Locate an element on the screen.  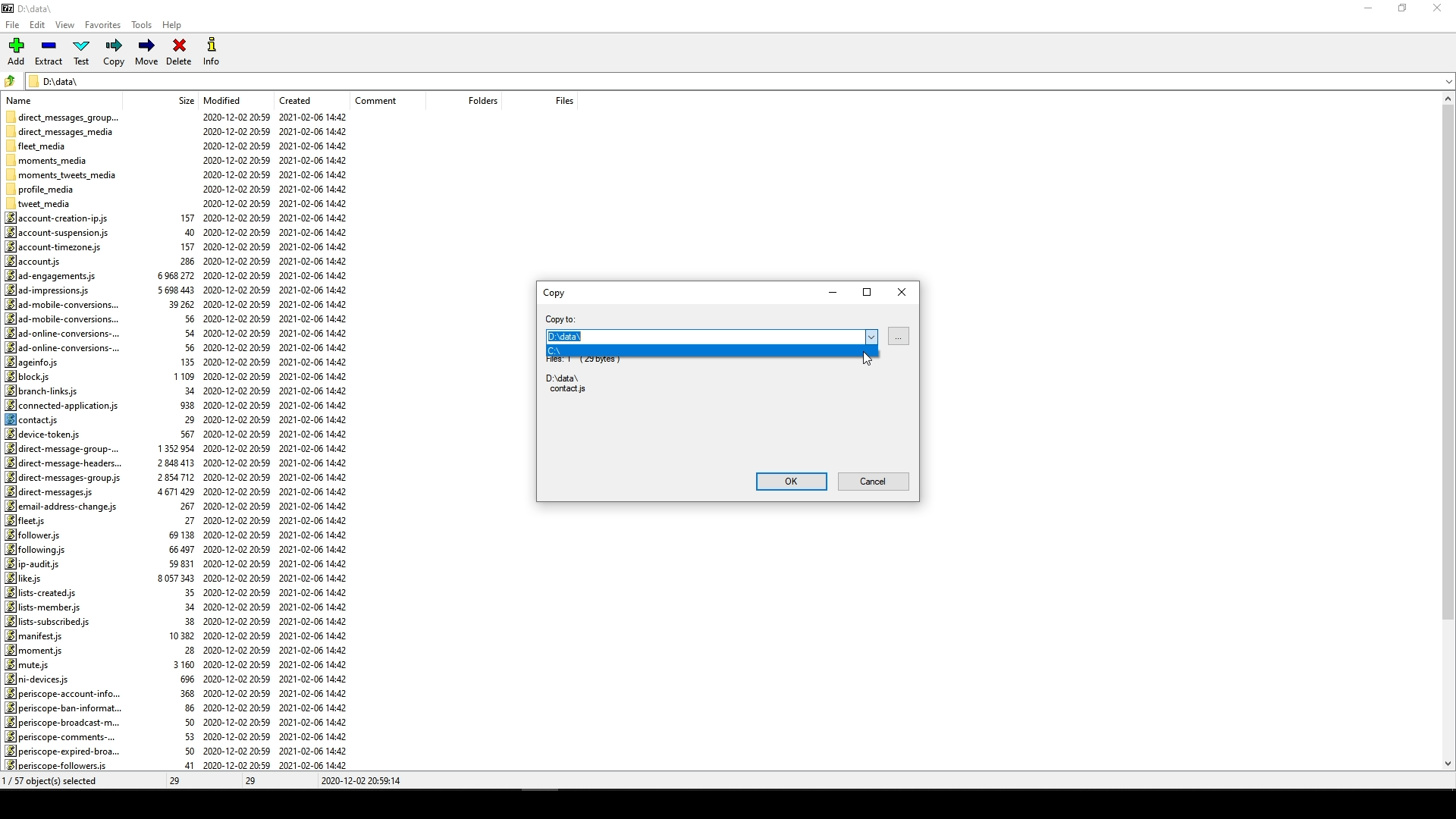
comment is located at coordinates (381, 100).